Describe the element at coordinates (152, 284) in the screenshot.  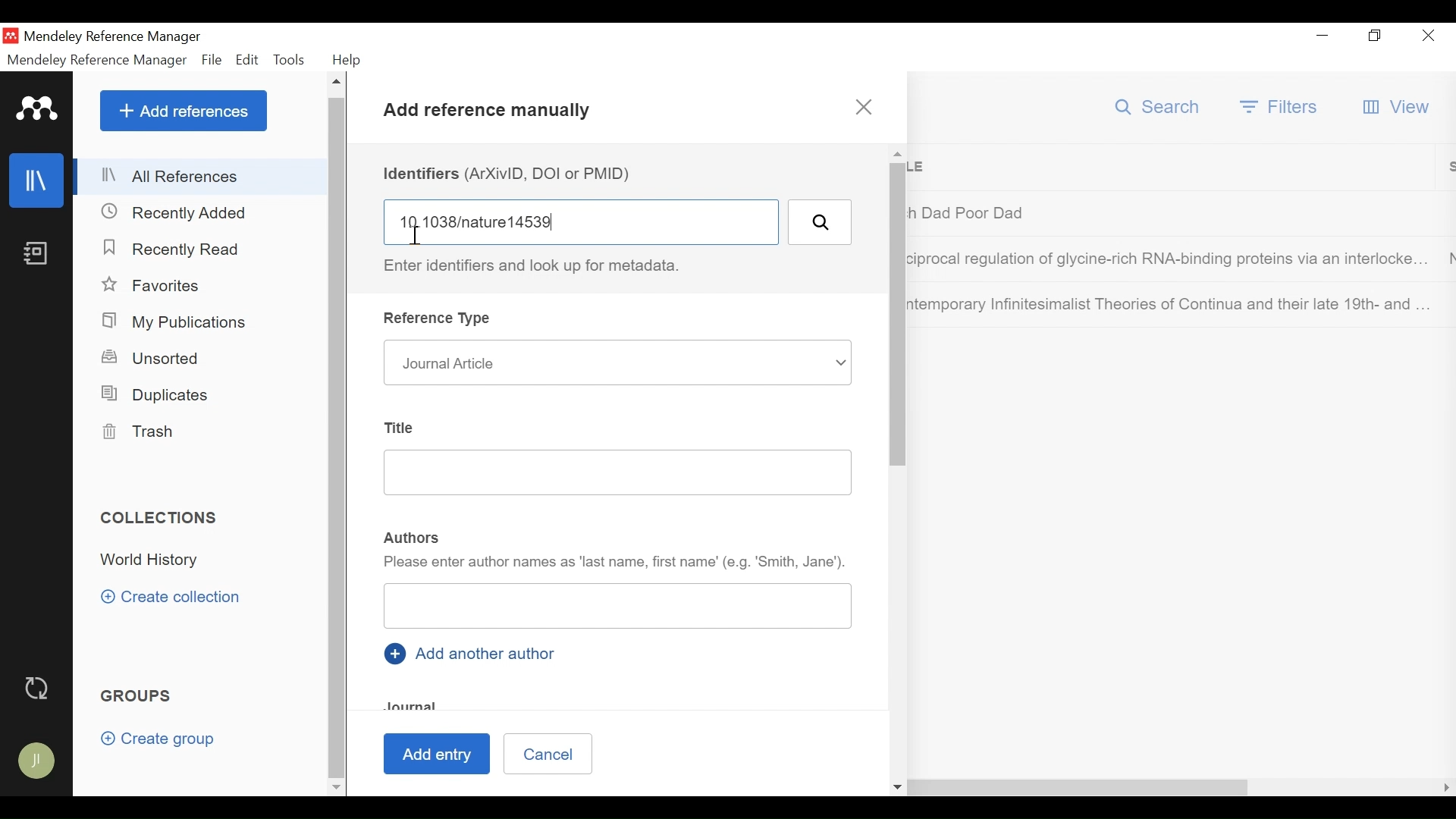
I see `Favorites` at that location.